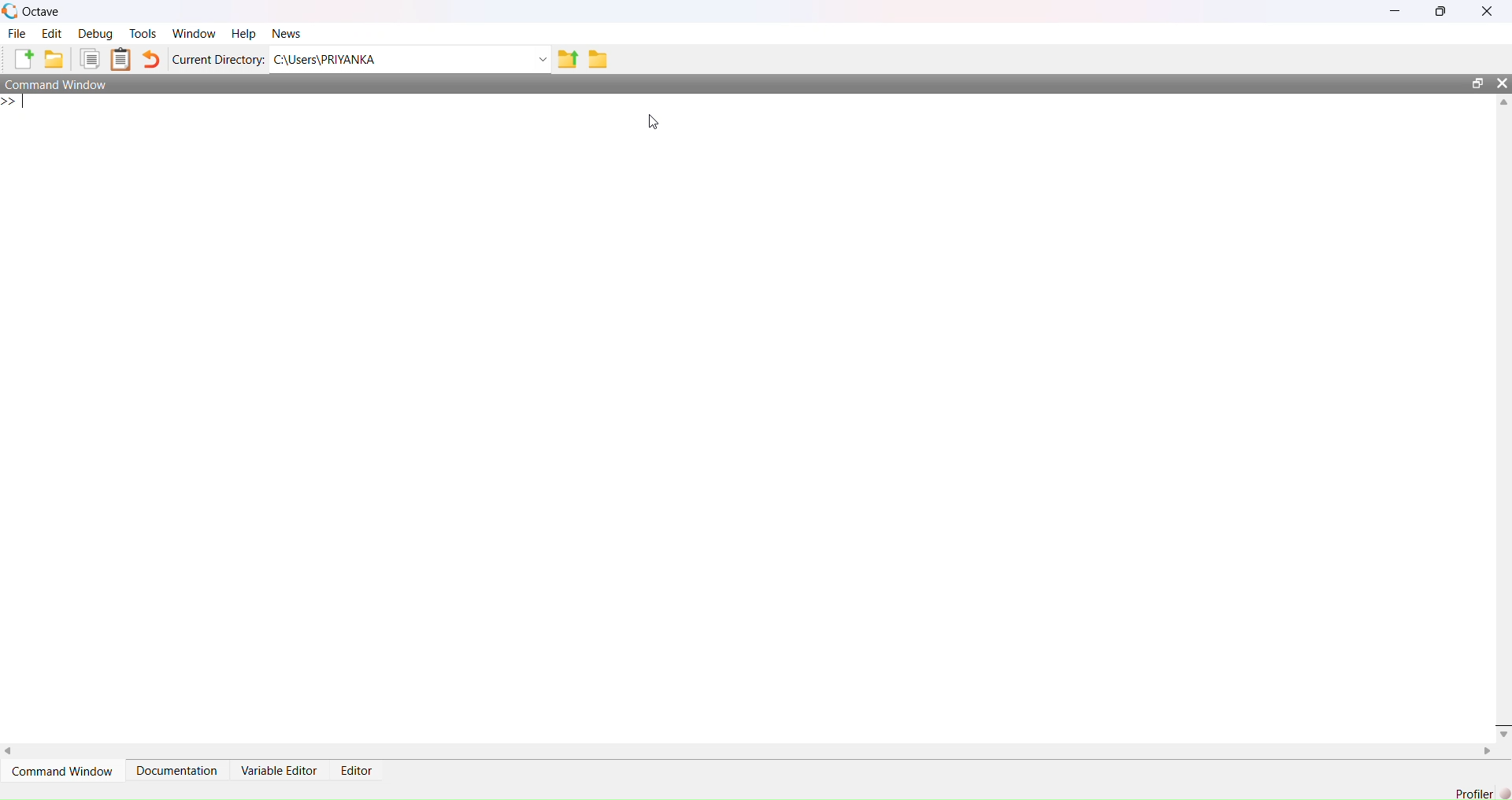  I want to click on Create Folder, so click(55, 60).